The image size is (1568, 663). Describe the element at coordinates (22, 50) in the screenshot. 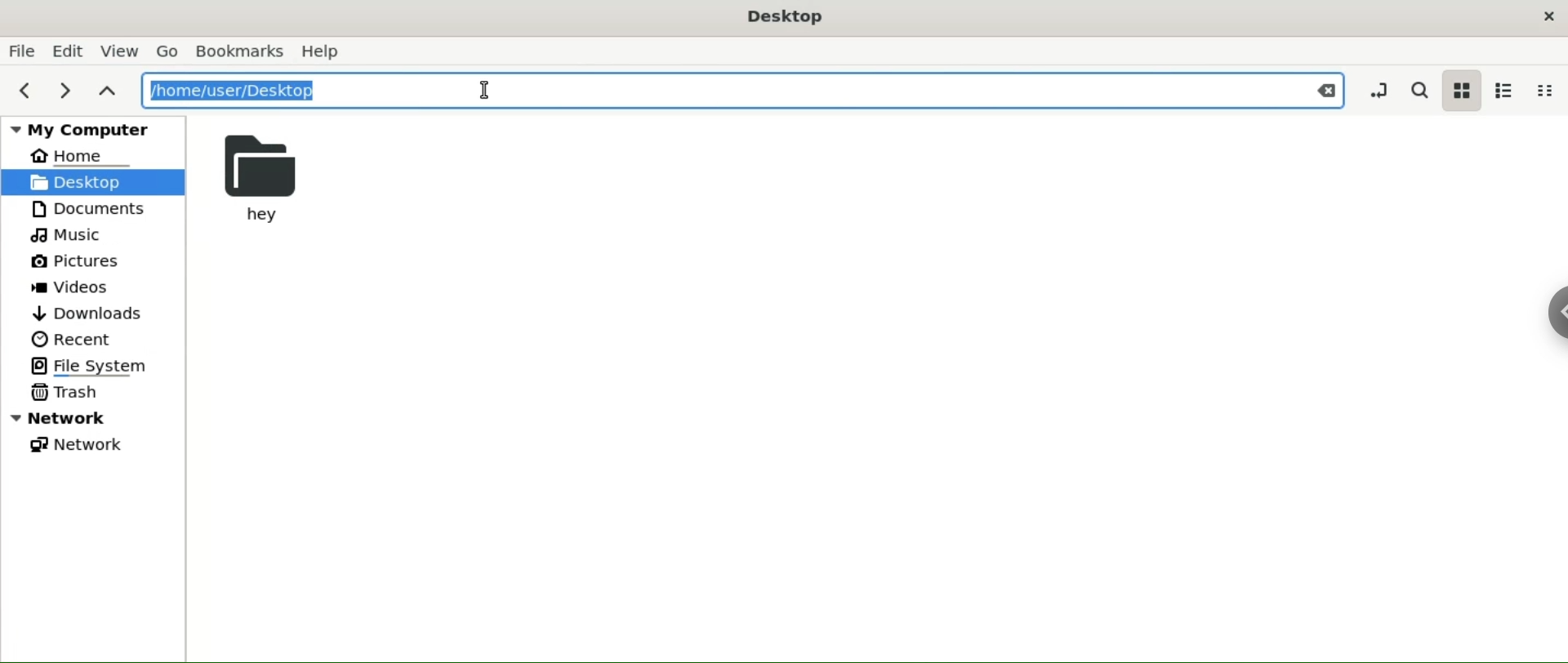

I see `file` at that location.